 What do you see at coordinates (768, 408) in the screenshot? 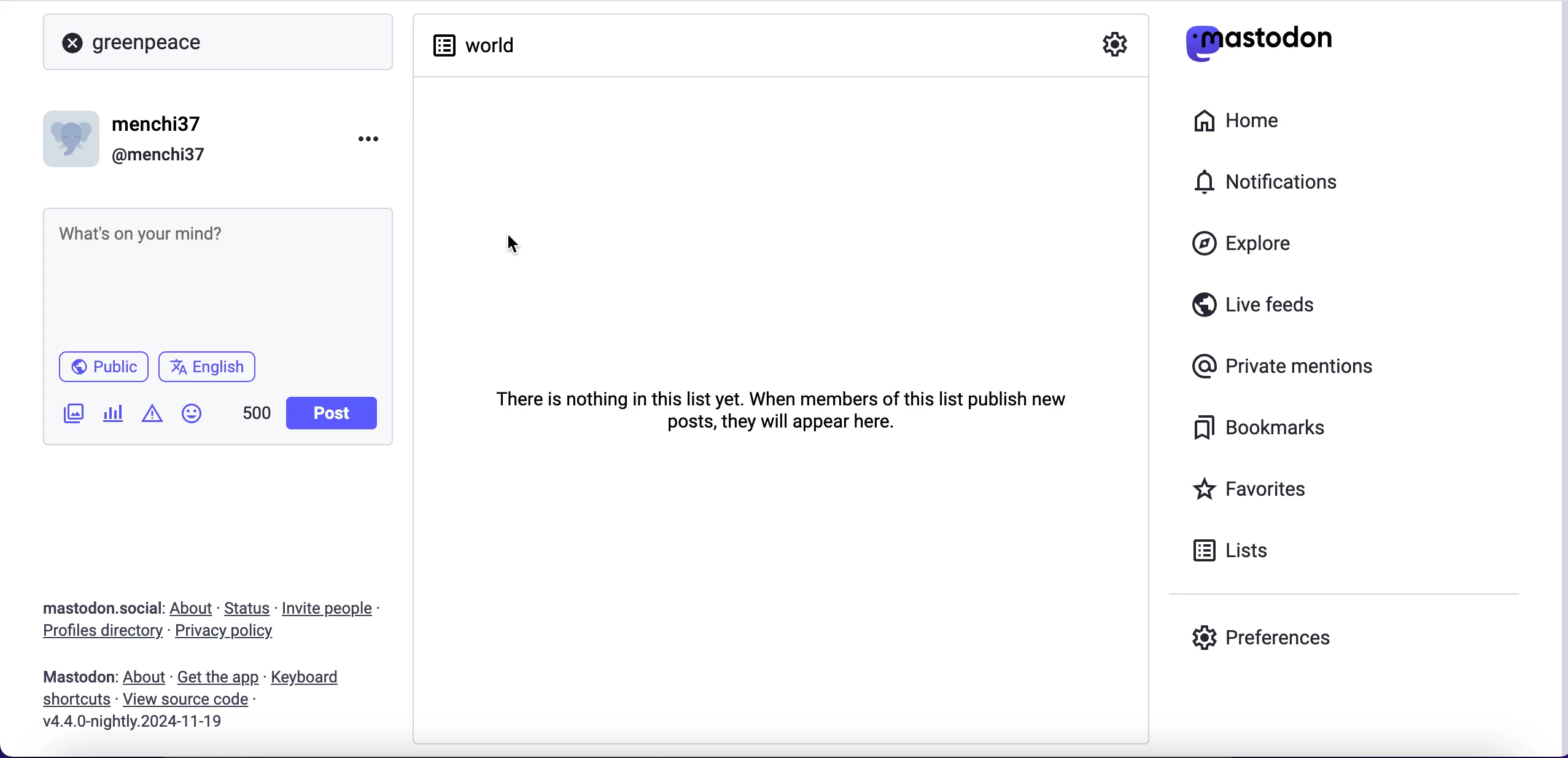
I see `there it nothing in this list yet. whem members of this list publish new posts, they will appear here` at bounding box center [768, 408].